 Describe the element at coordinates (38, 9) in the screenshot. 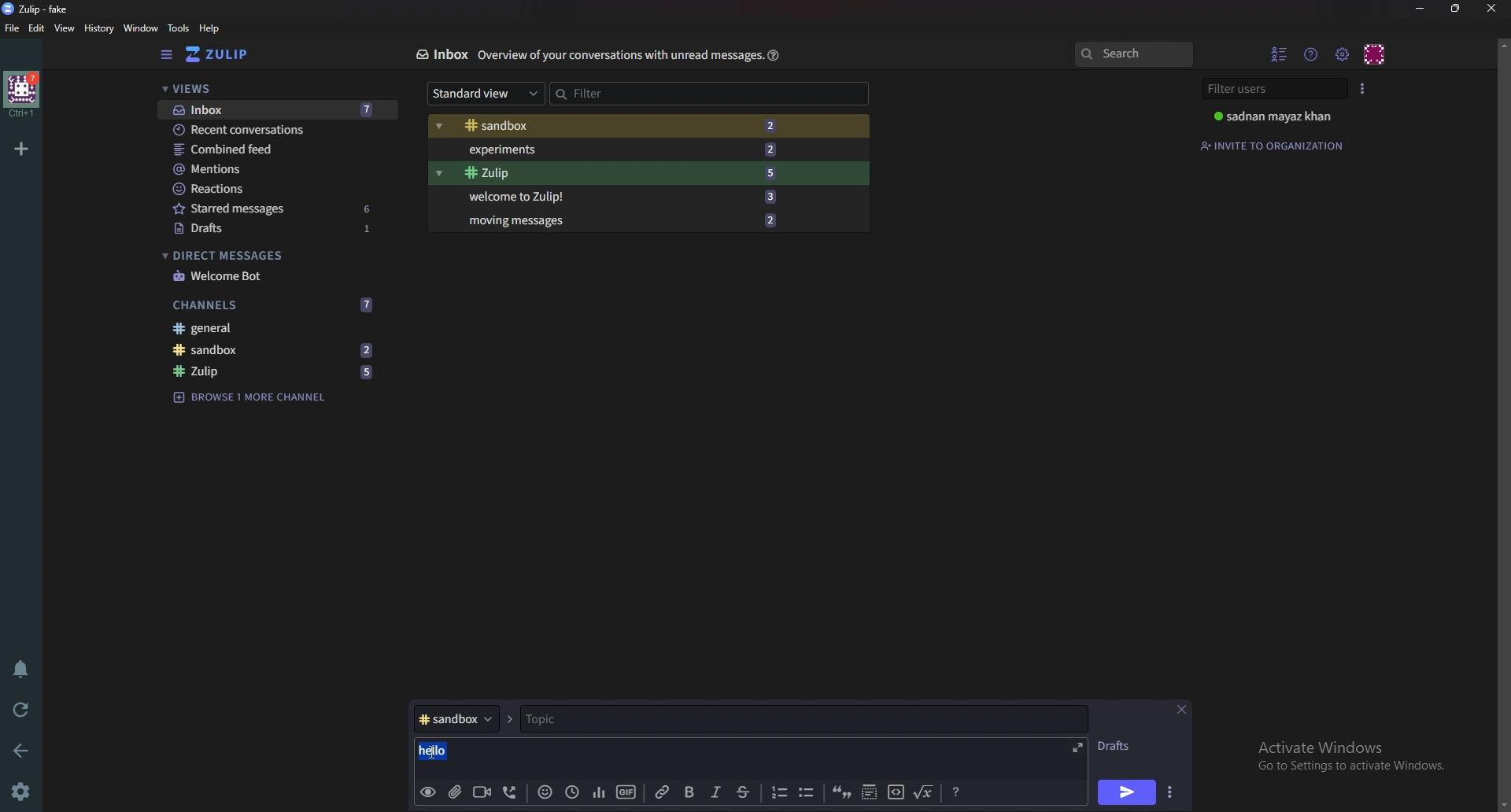

I see `zulip-fake` at that location.